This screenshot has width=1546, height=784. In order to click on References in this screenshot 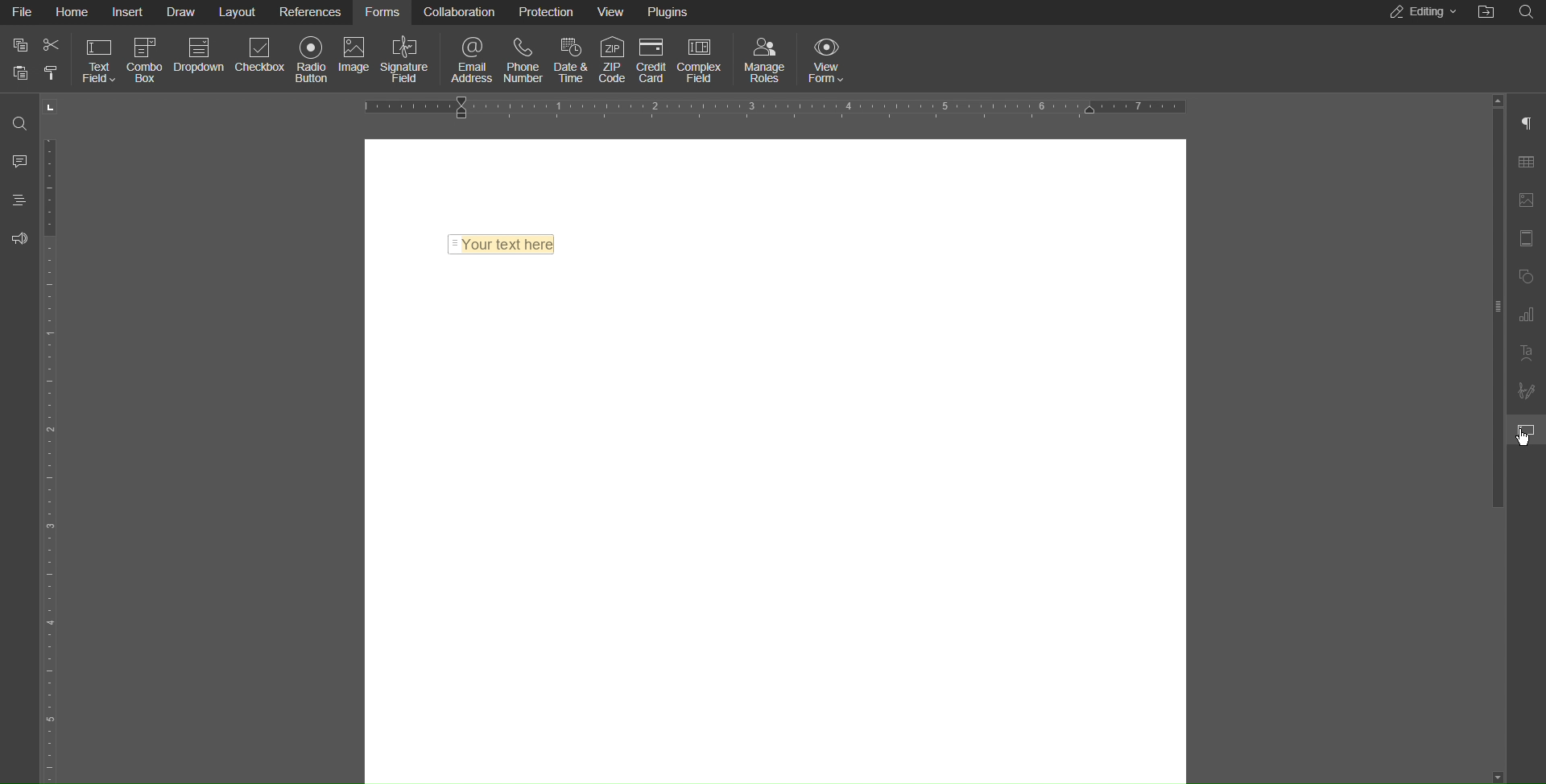, I will do `click(312, 12)`.